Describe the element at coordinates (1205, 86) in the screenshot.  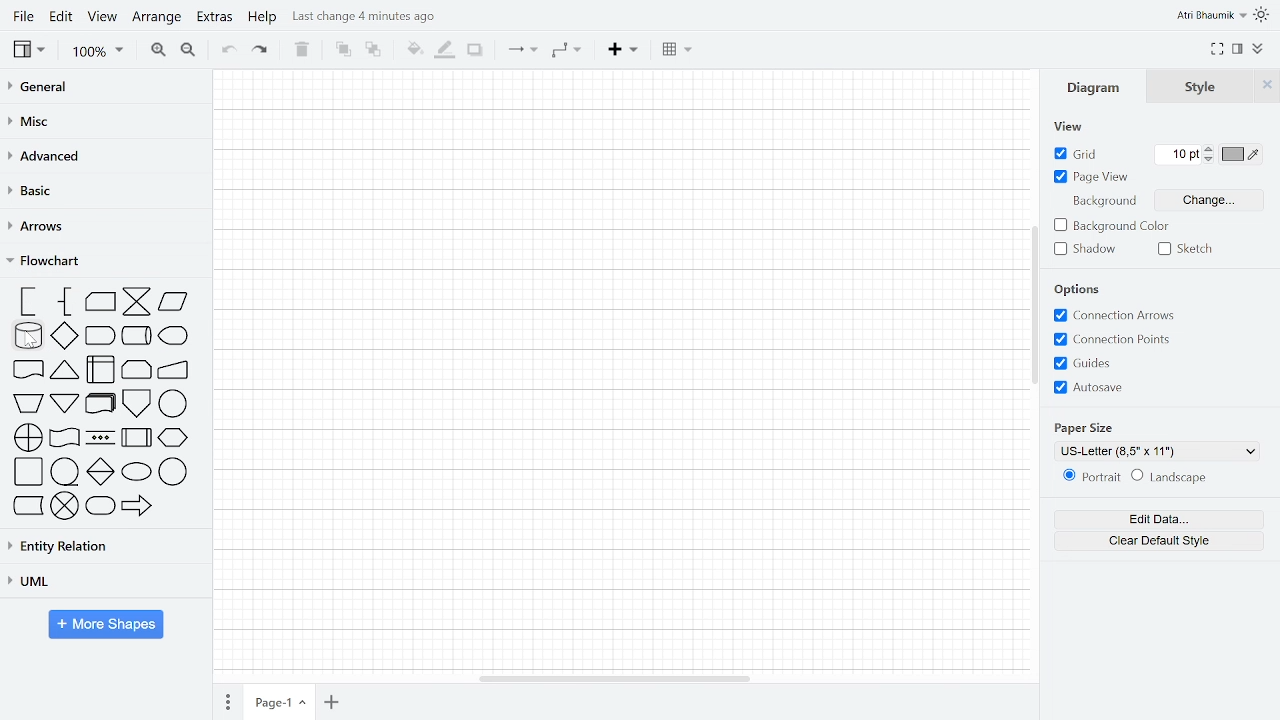
I see `Style` at that location.